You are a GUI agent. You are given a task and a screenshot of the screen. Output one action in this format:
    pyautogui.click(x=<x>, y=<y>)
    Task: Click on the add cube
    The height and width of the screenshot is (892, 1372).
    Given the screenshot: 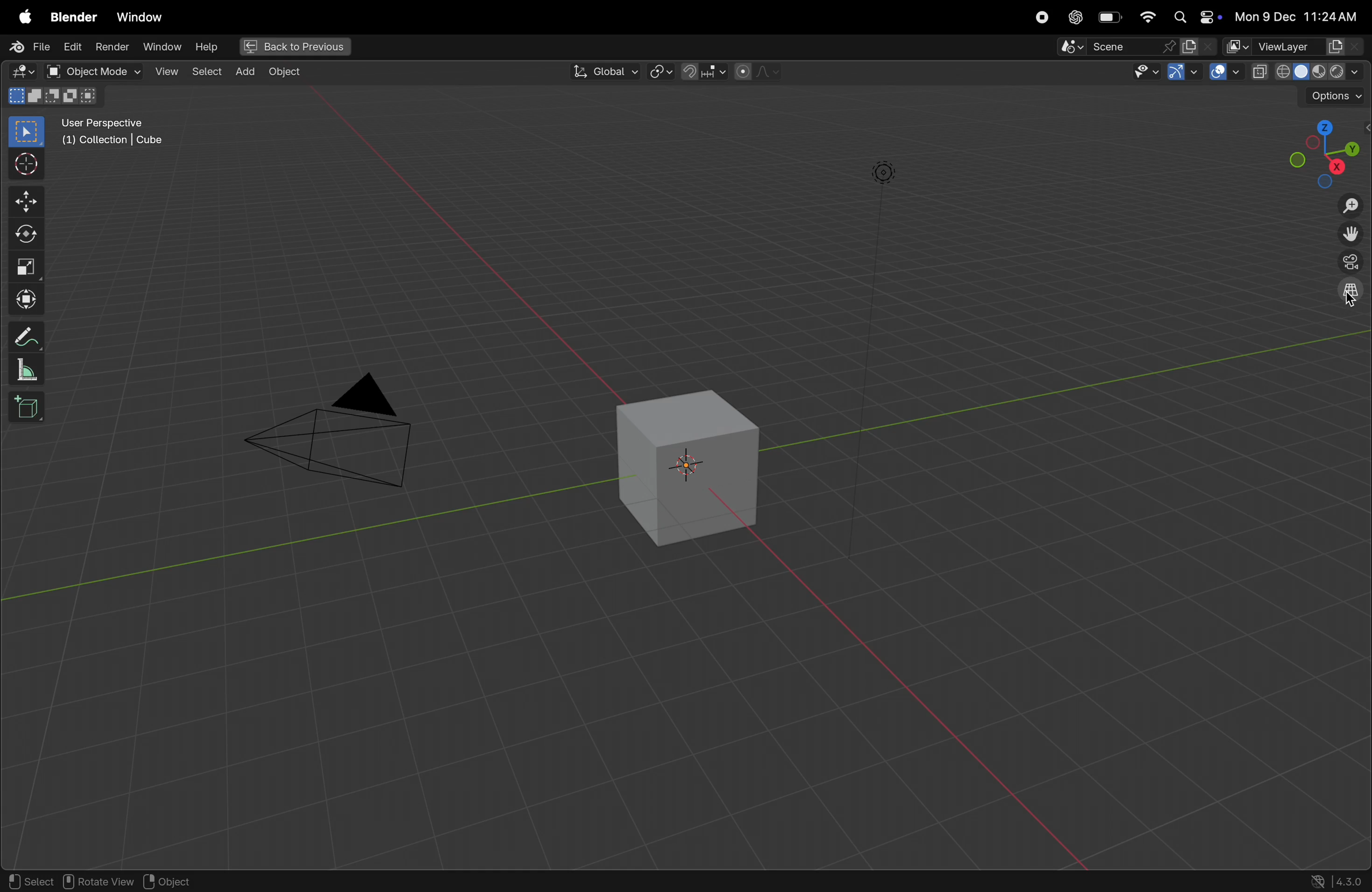 What is the action you would take?
    pyautogui.click(x=25, y=409)
    